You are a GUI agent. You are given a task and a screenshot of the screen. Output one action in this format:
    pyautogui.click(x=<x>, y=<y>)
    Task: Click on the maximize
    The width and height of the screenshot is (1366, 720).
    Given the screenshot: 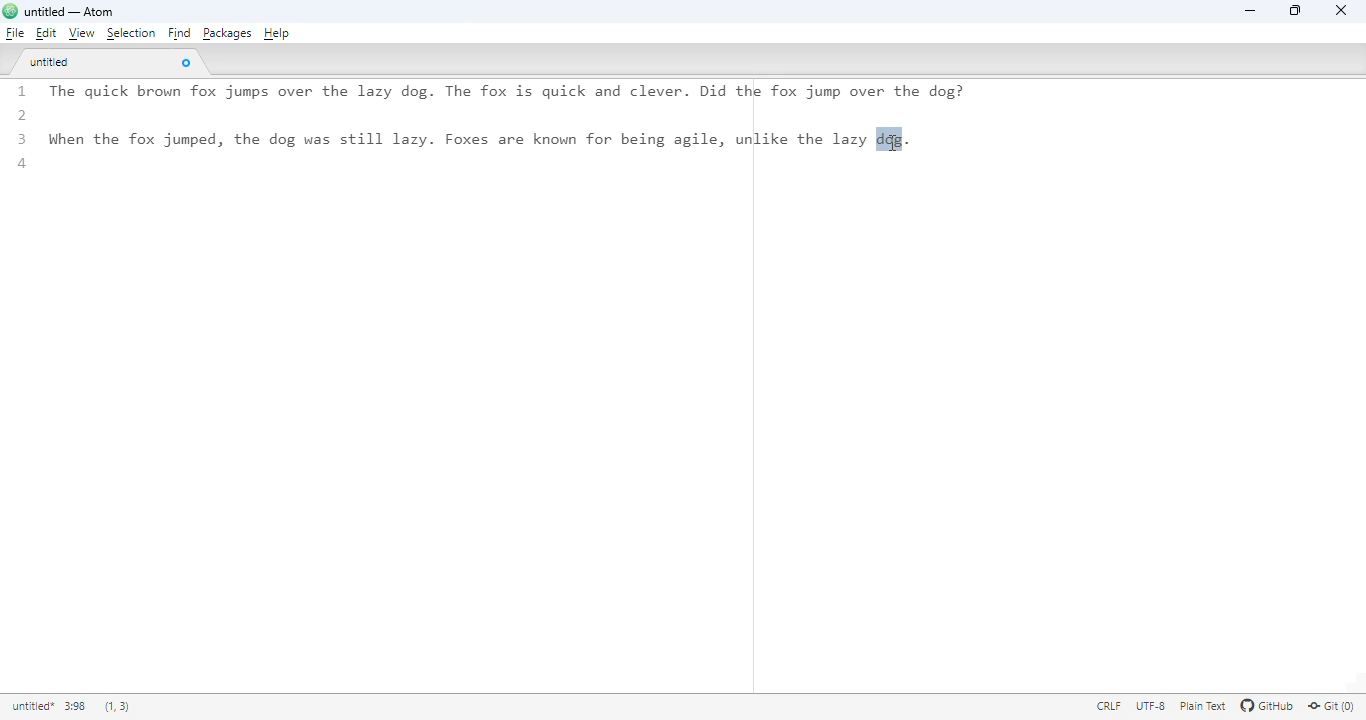 What is the action you would take?
    pyautogui.click(x=1295, y=11)
    